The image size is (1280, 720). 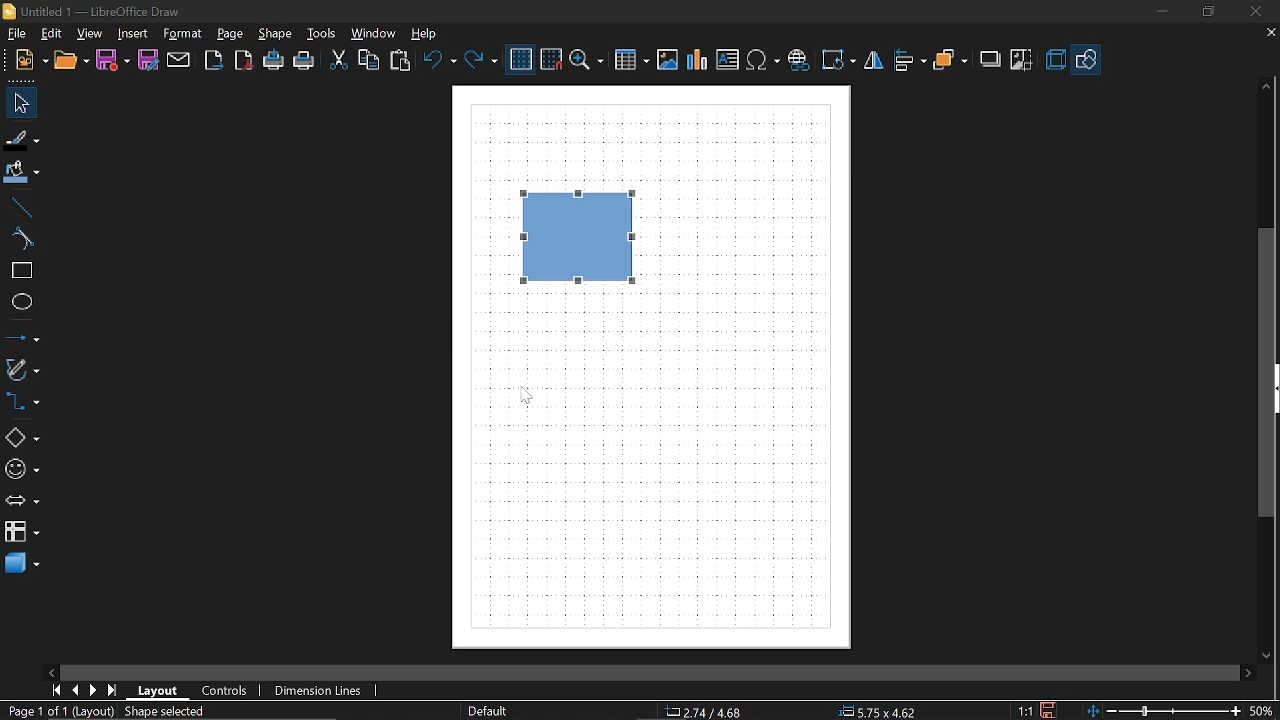 I want to click on Dimension lines, so click(x=319, y=691).